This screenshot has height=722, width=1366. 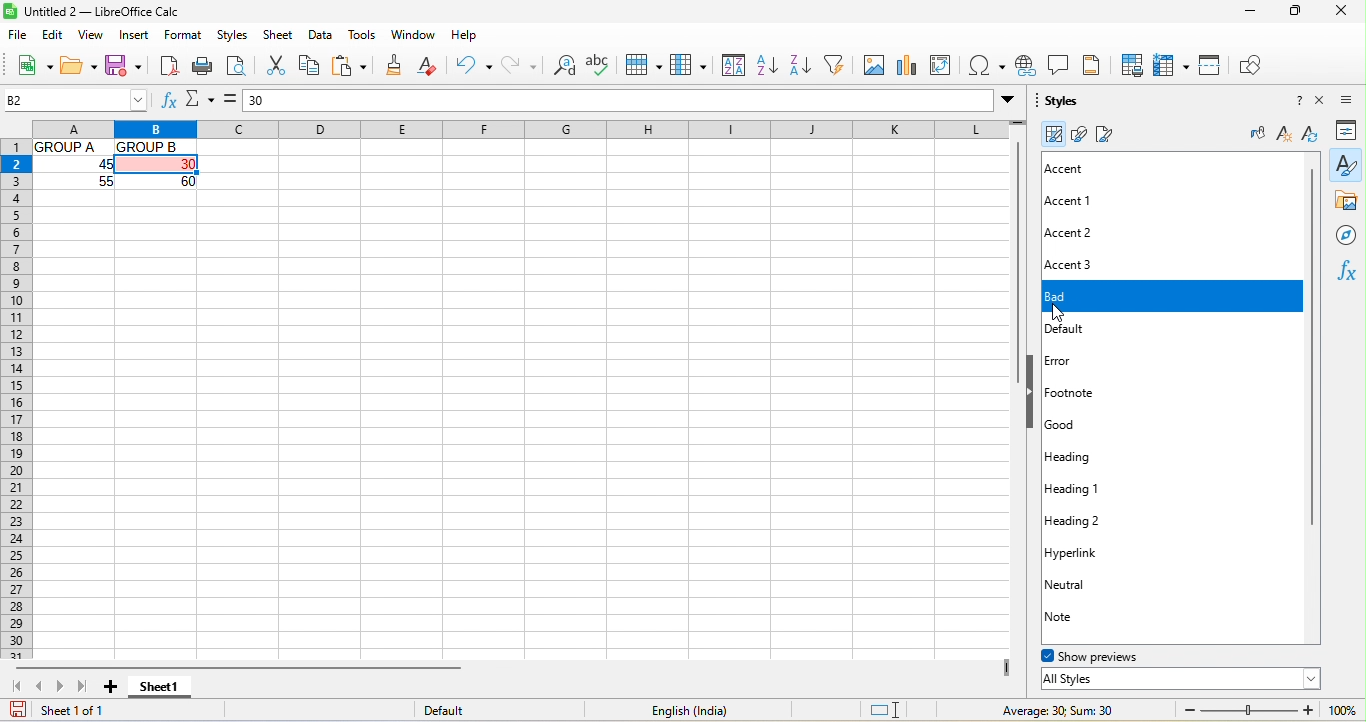 What do you see at coordinates (602, 64) in the screenshot?
I see `spelling` at bounding box center [602, 64].